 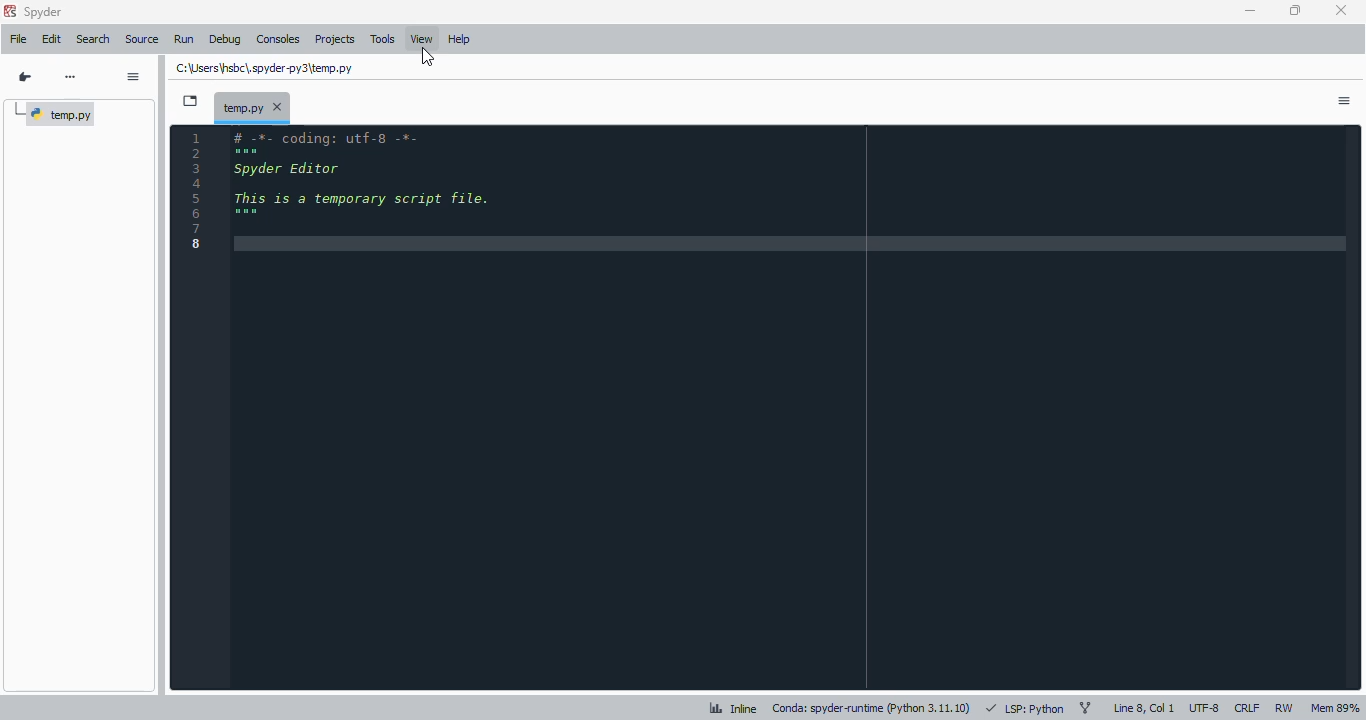 What do you see at coordinates (11, 11) in the screenshot?
I see `logo` at bounding box center [11, 11].